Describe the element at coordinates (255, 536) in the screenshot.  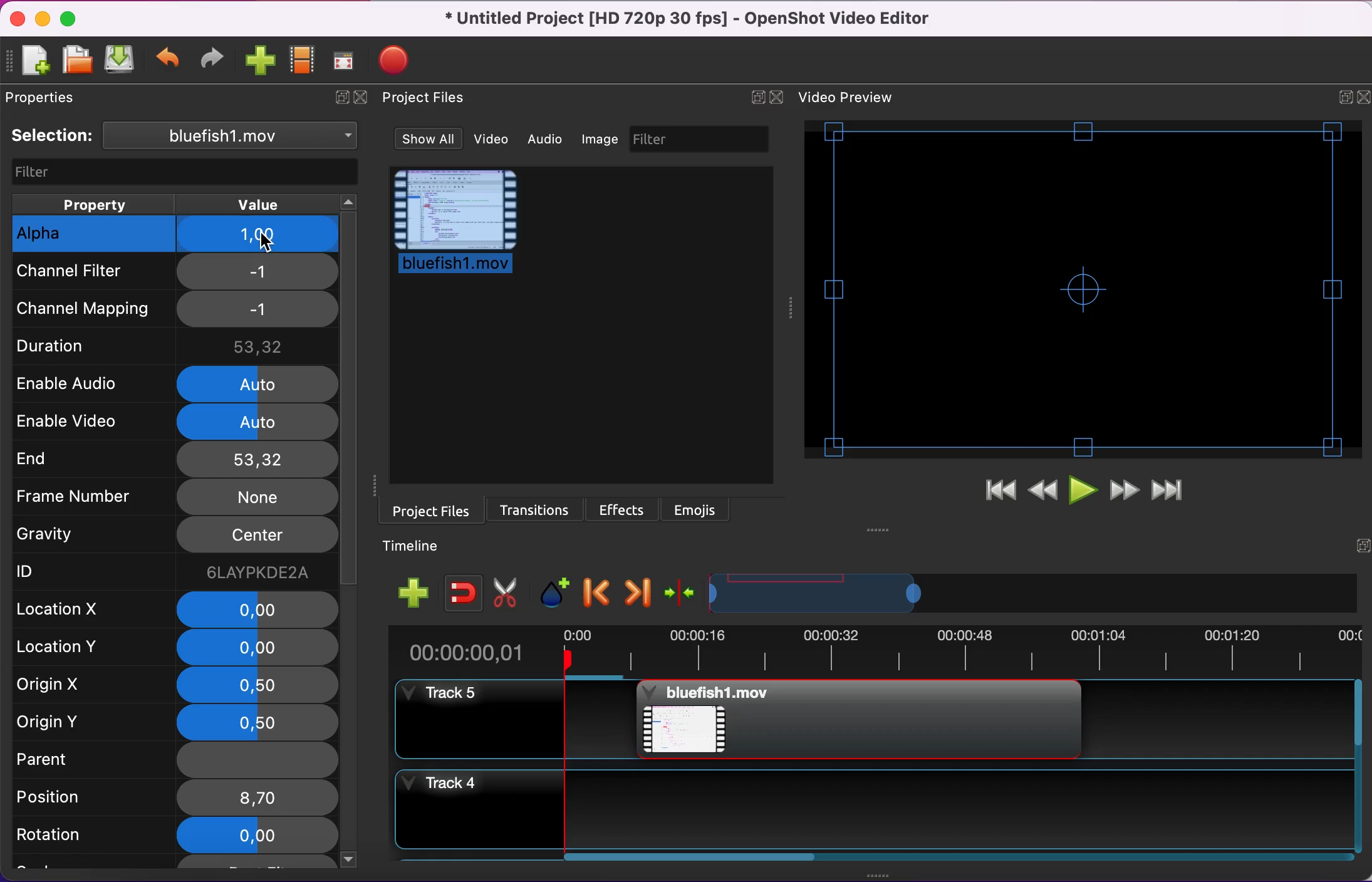
I see `center` at that location.